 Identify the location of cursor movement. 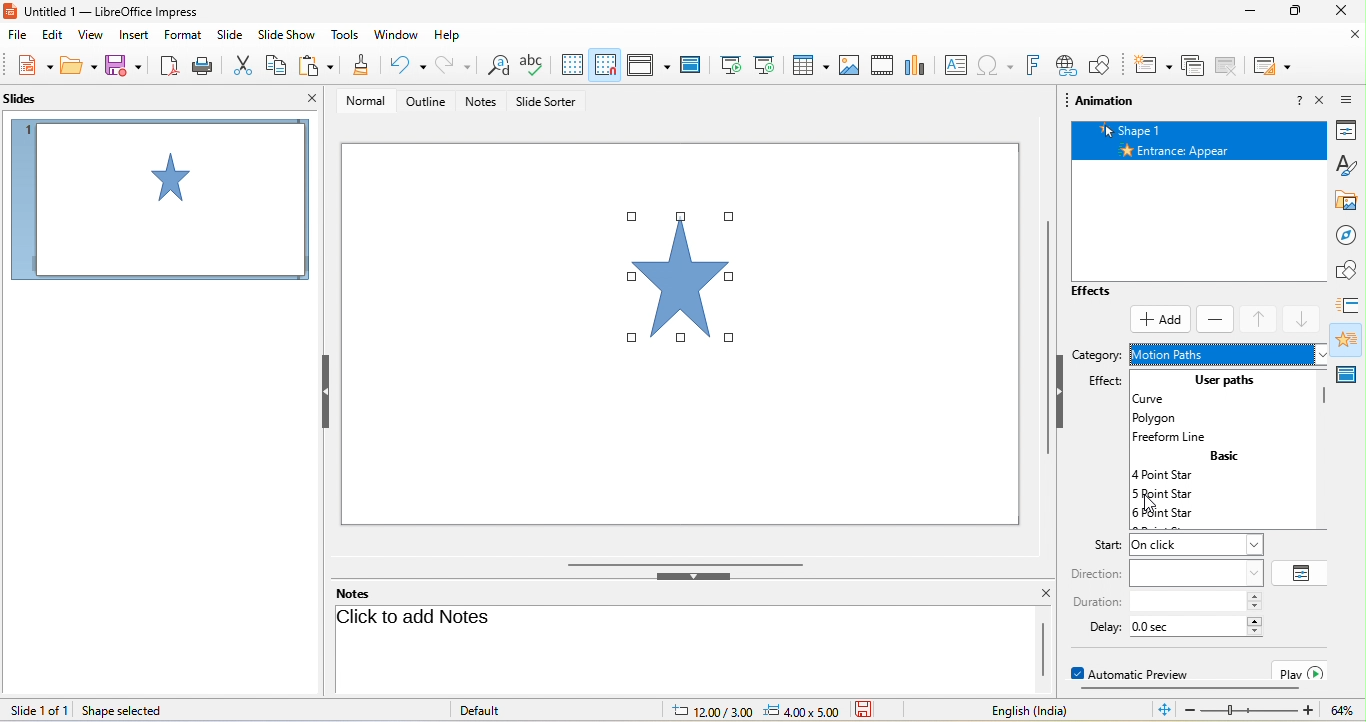
(1149, 508).